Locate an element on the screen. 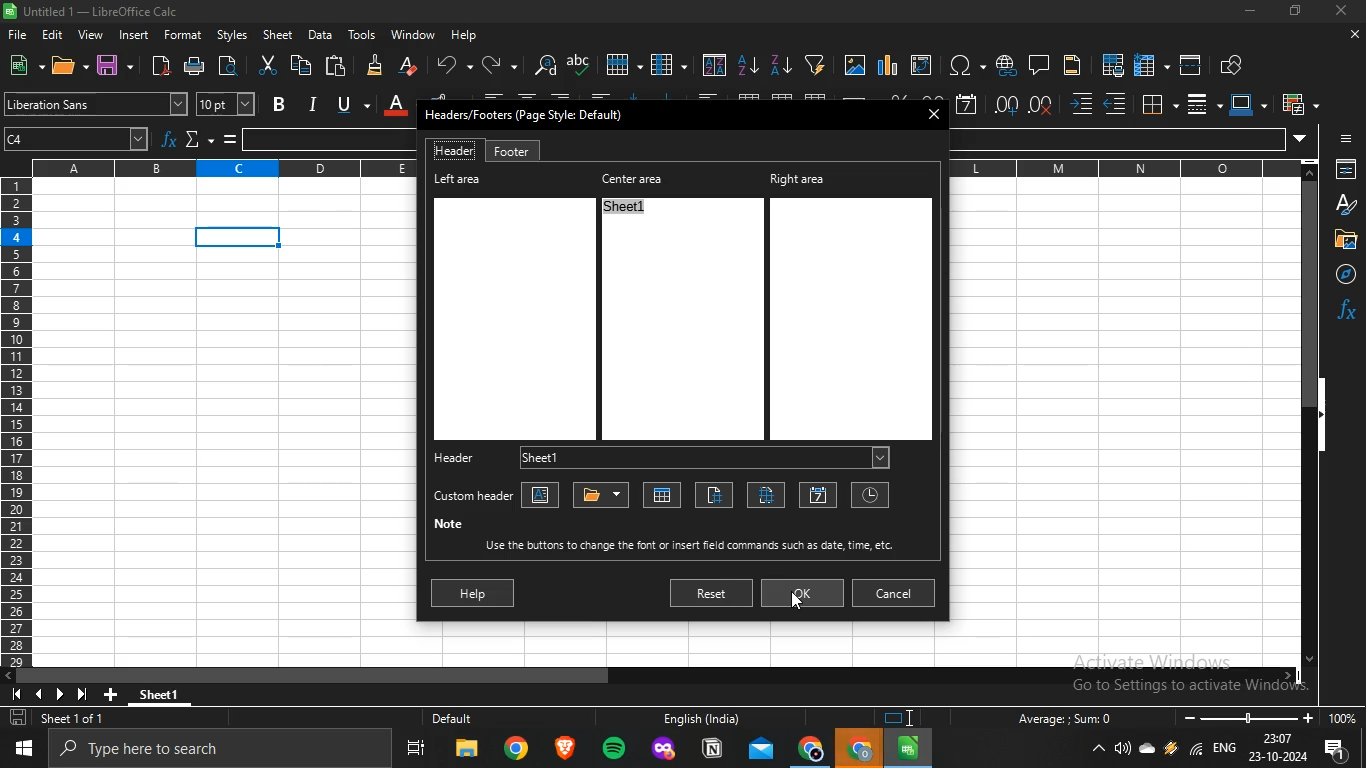 The image size is (1366, 768). close is located at coordinates (1343, 13).